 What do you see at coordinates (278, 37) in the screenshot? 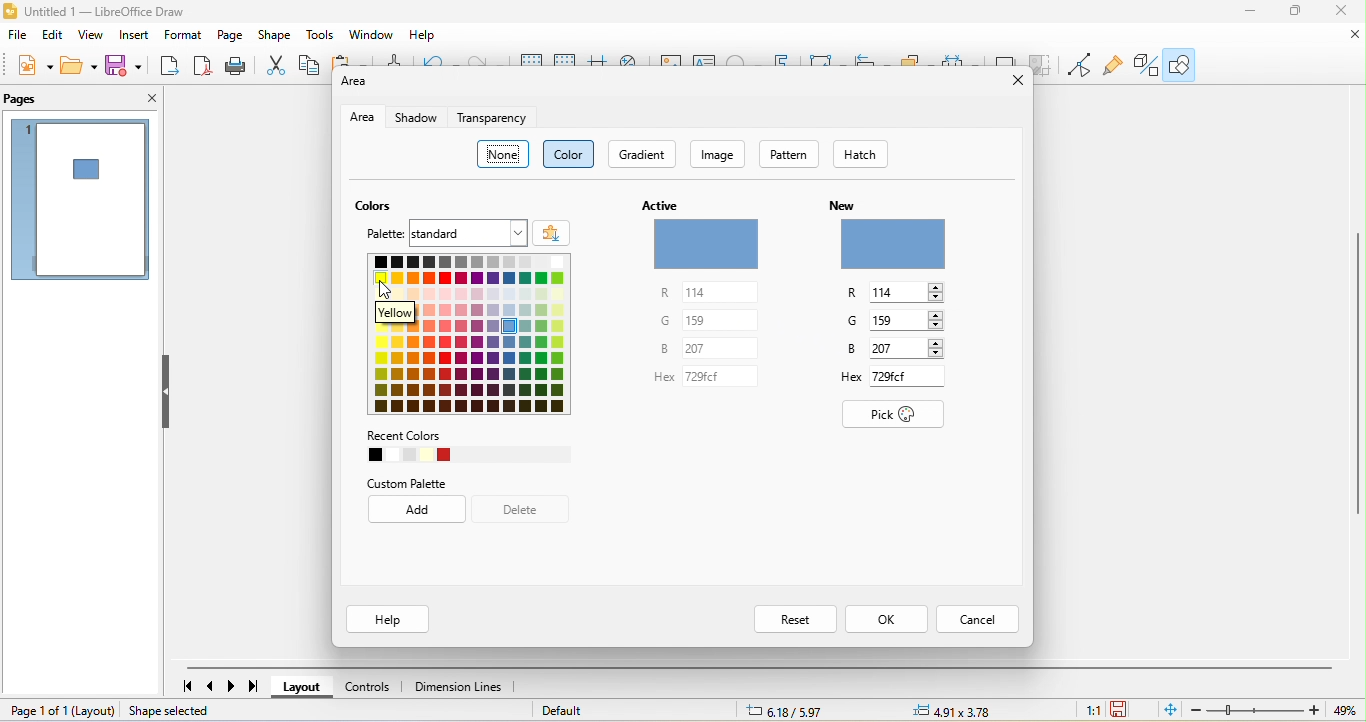
I see `shape` at bounding box center [278, 37].